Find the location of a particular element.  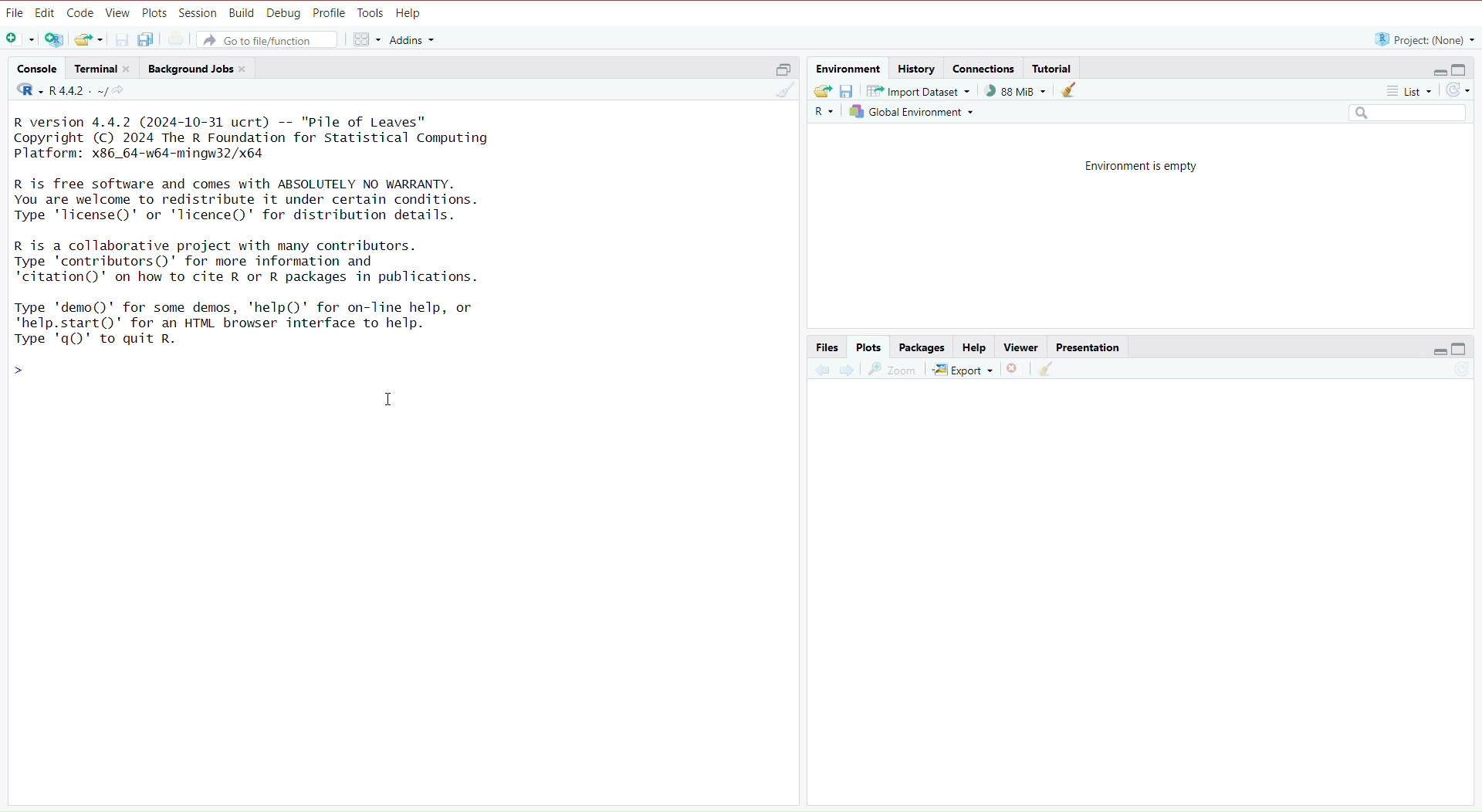

save current document is located at coordinates (123, 39).